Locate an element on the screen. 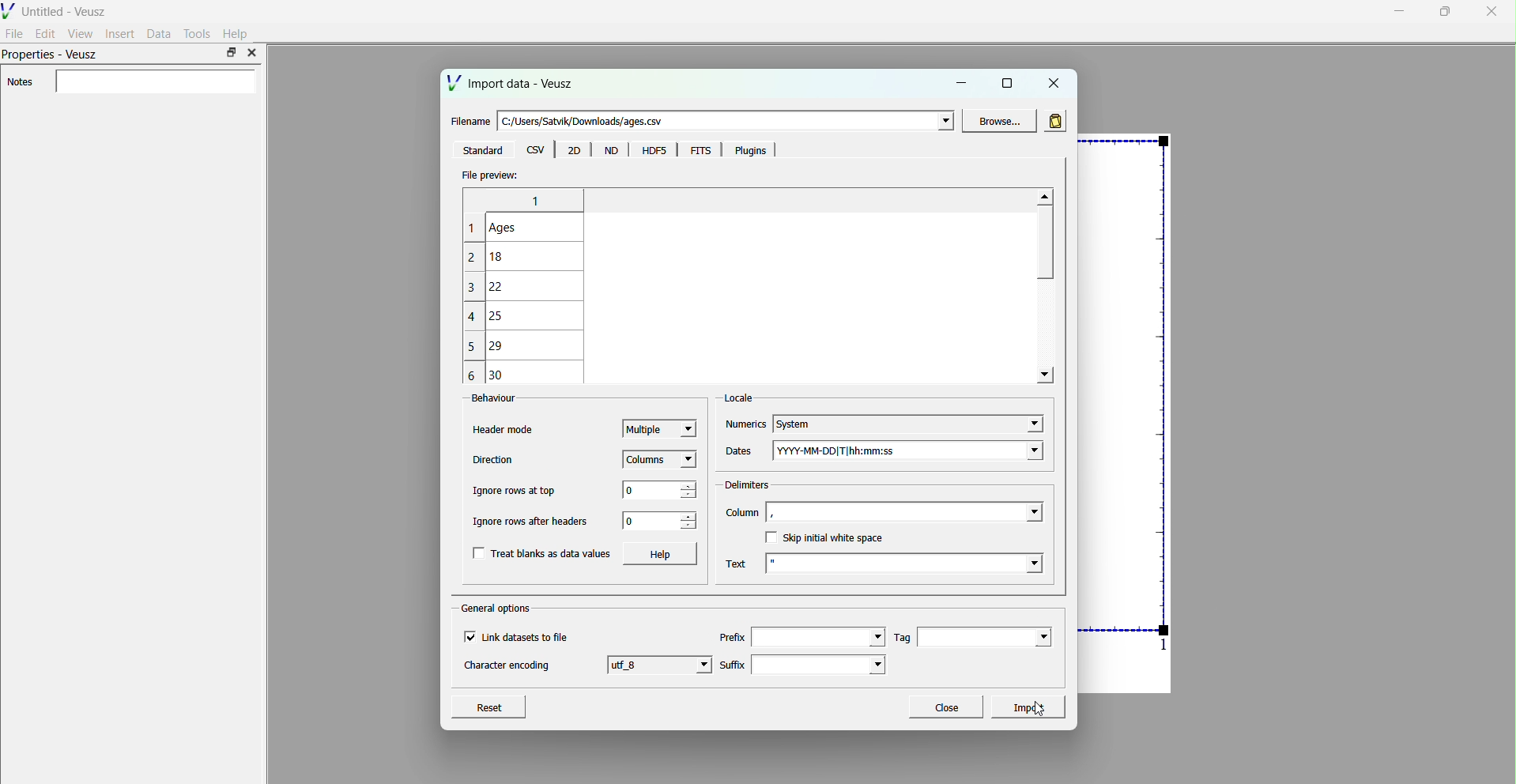  maximise is located at coordinates (231, 52).